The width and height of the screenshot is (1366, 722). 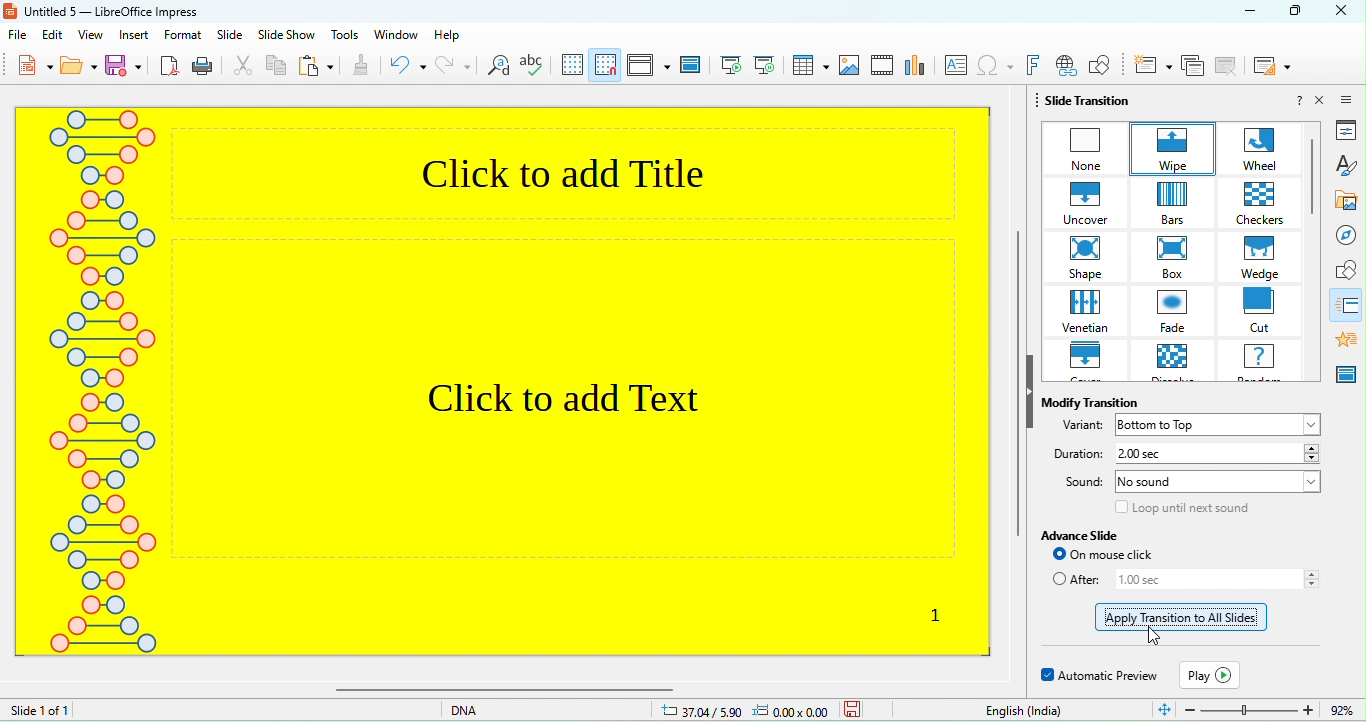 I want to click on the document has not been modified since the last save, so click(x=869, y=710).